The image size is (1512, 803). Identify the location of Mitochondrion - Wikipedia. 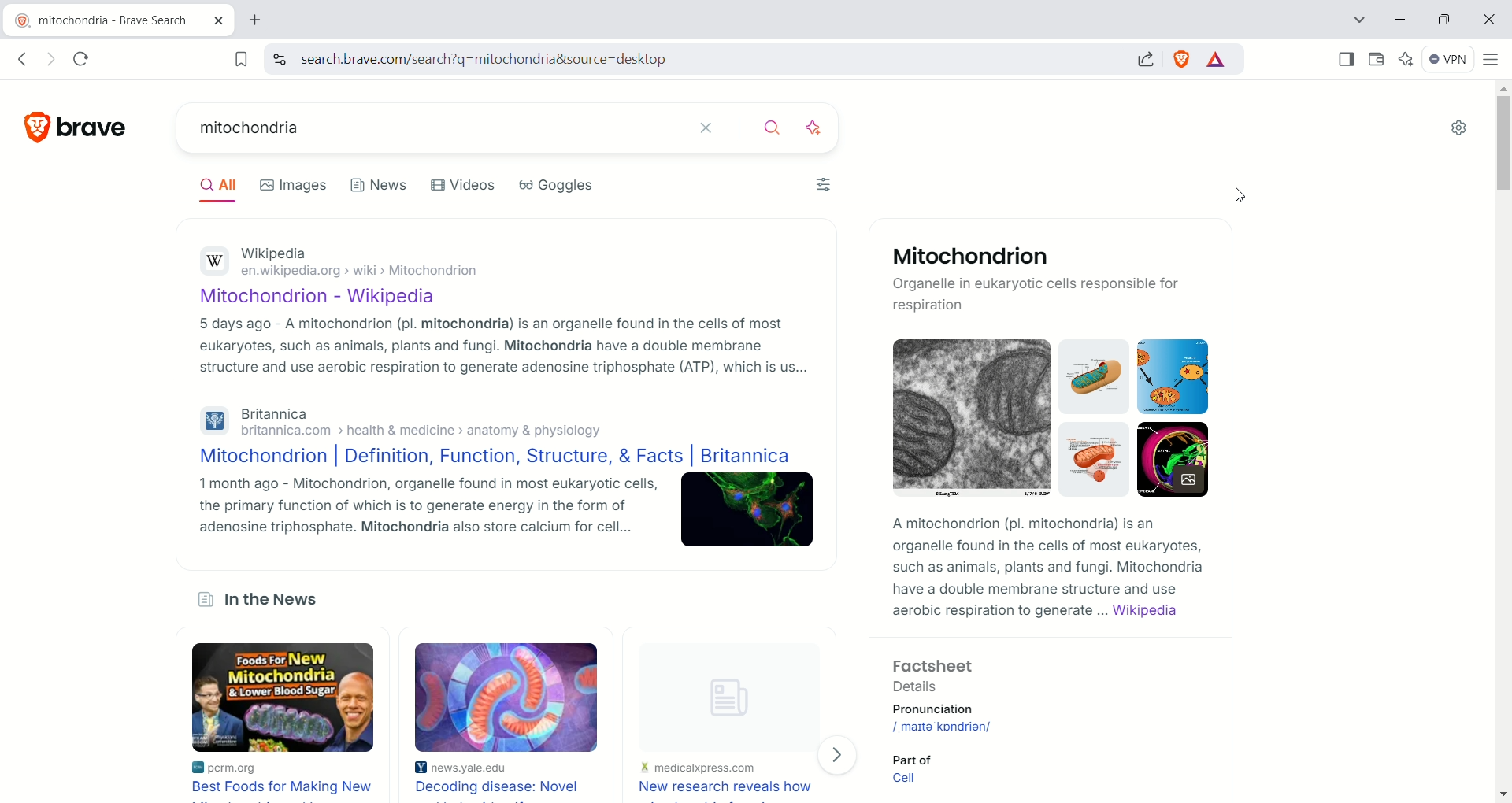
(354, 293).